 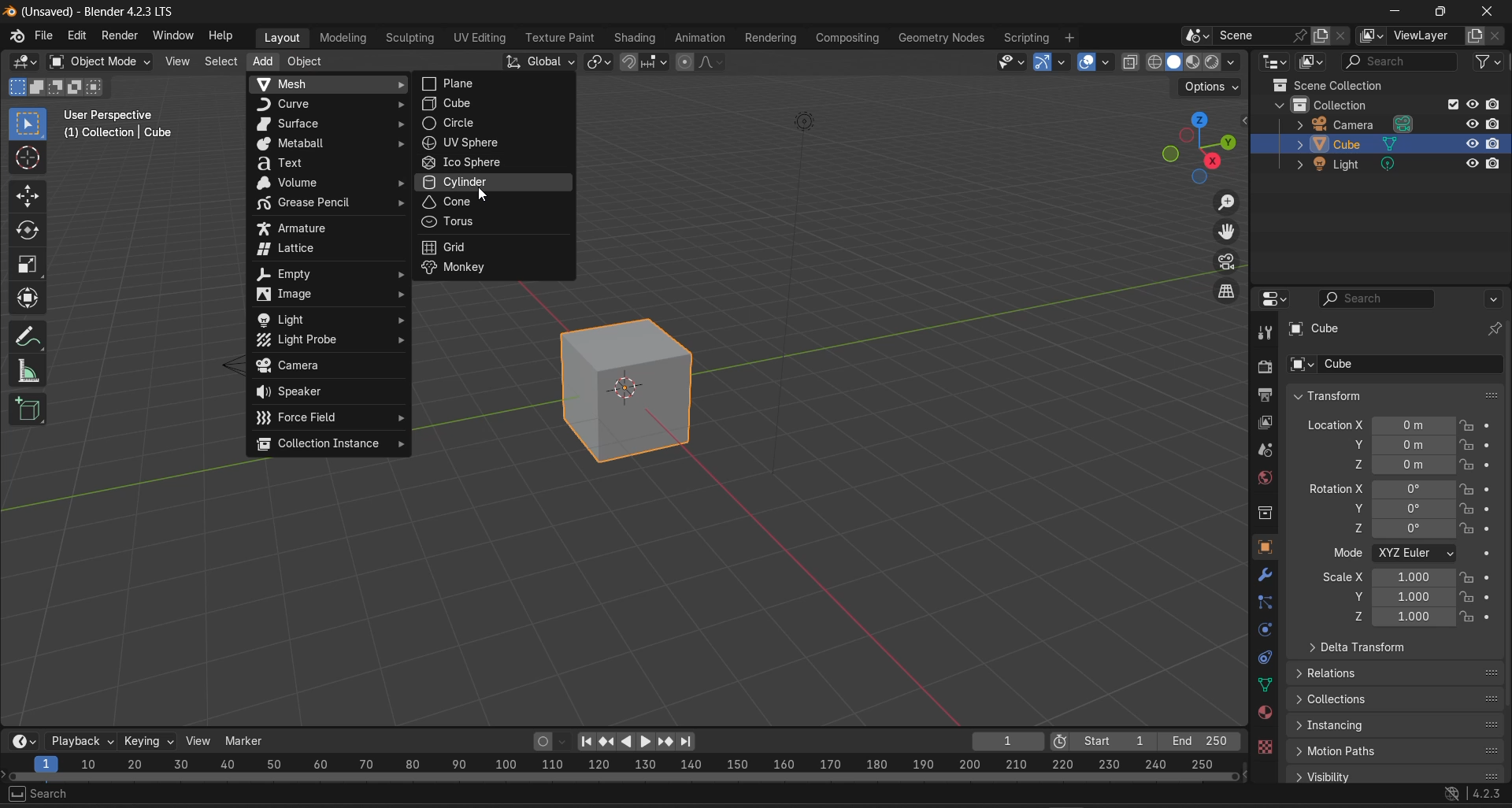 I want to click on add workspace, so click(x=1071, y=35).